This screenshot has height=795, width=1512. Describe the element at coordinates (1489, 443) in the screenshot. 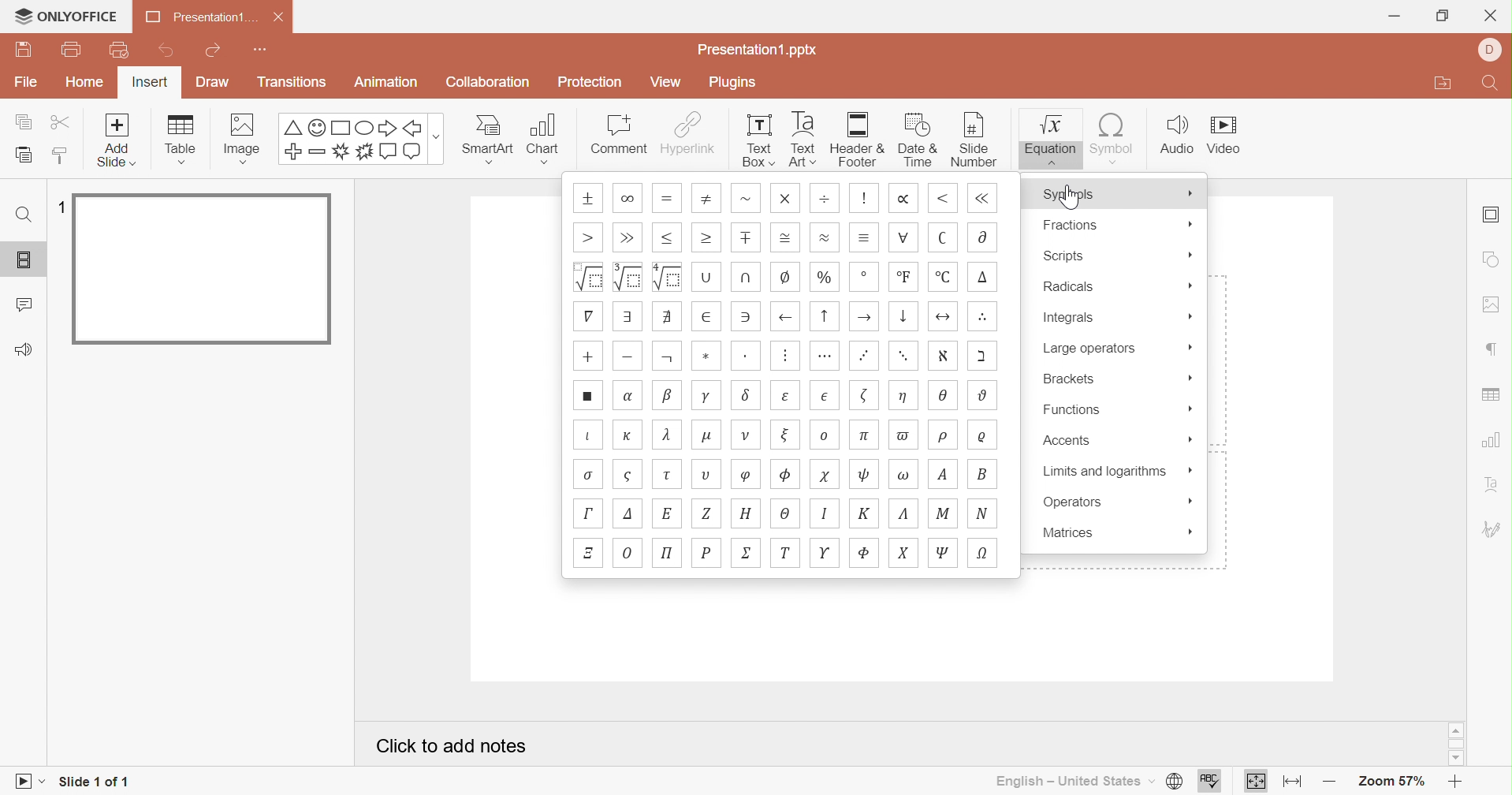

I see `chart settings` at that location.